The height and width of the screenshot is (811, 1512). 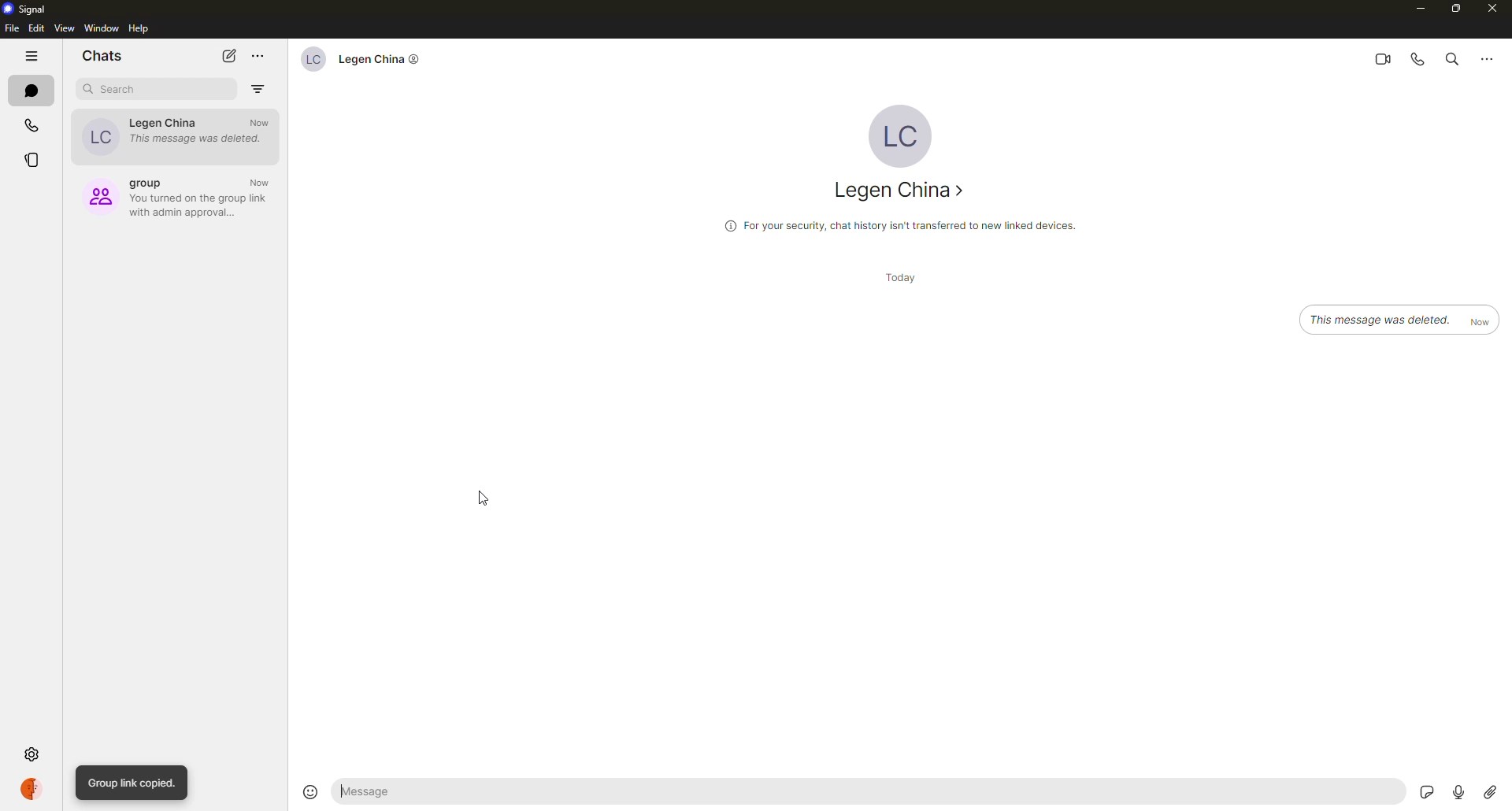 What do you see at coordinates (102, 28) in the screenshot?
I see `window` at bounding box center [102, 28].